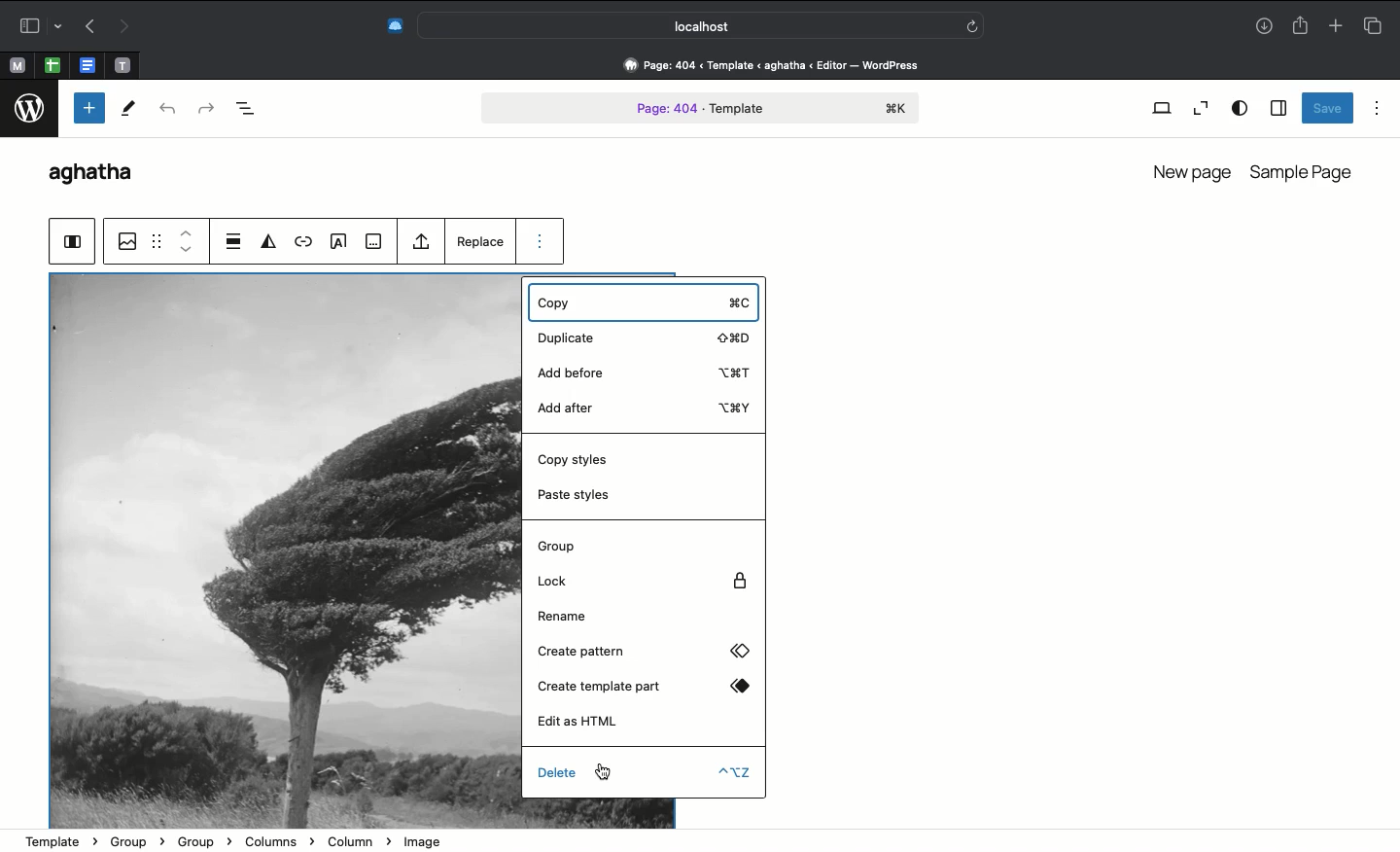 This screenshot has height=852, width=1400. Describe the element at coordinates (265, 240) in the screenshot. I see `Duotone` at that location.